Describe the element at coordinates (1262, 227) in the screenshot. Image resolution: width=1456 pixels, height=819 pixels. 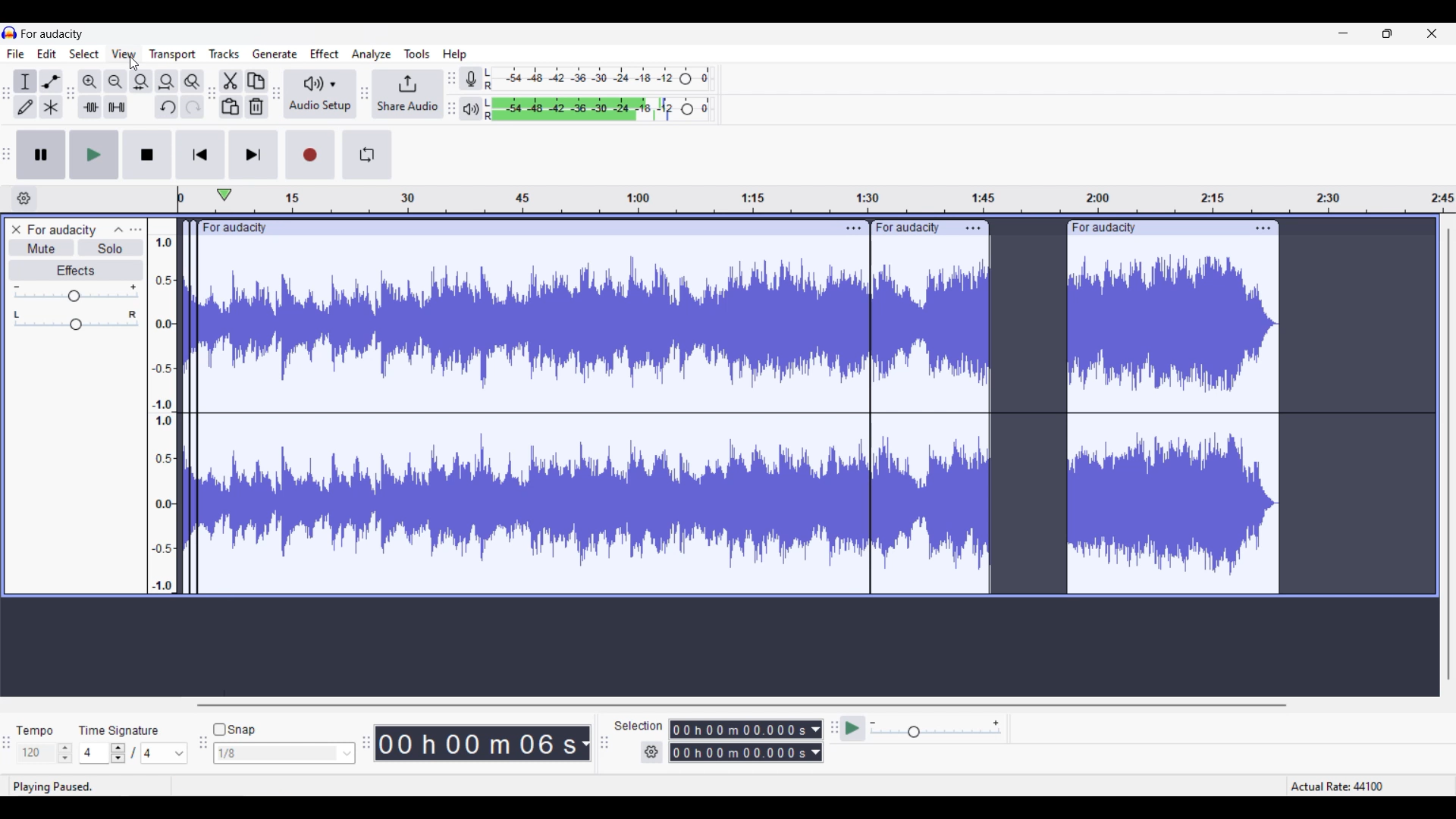
I see `track options` at that location.